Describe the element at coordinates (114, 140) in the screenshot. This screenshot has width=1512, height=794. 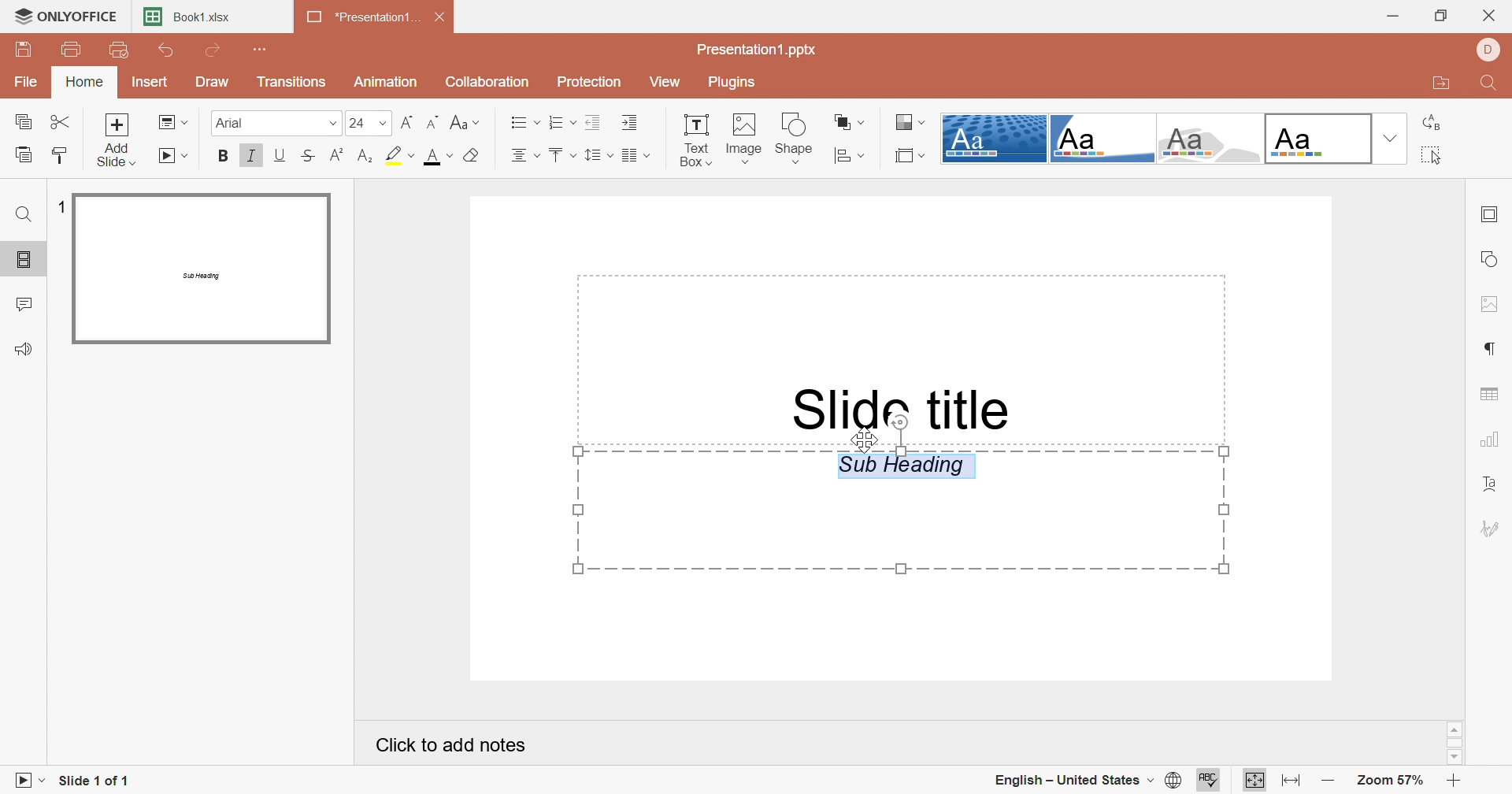
I see `Add slide` at that location.